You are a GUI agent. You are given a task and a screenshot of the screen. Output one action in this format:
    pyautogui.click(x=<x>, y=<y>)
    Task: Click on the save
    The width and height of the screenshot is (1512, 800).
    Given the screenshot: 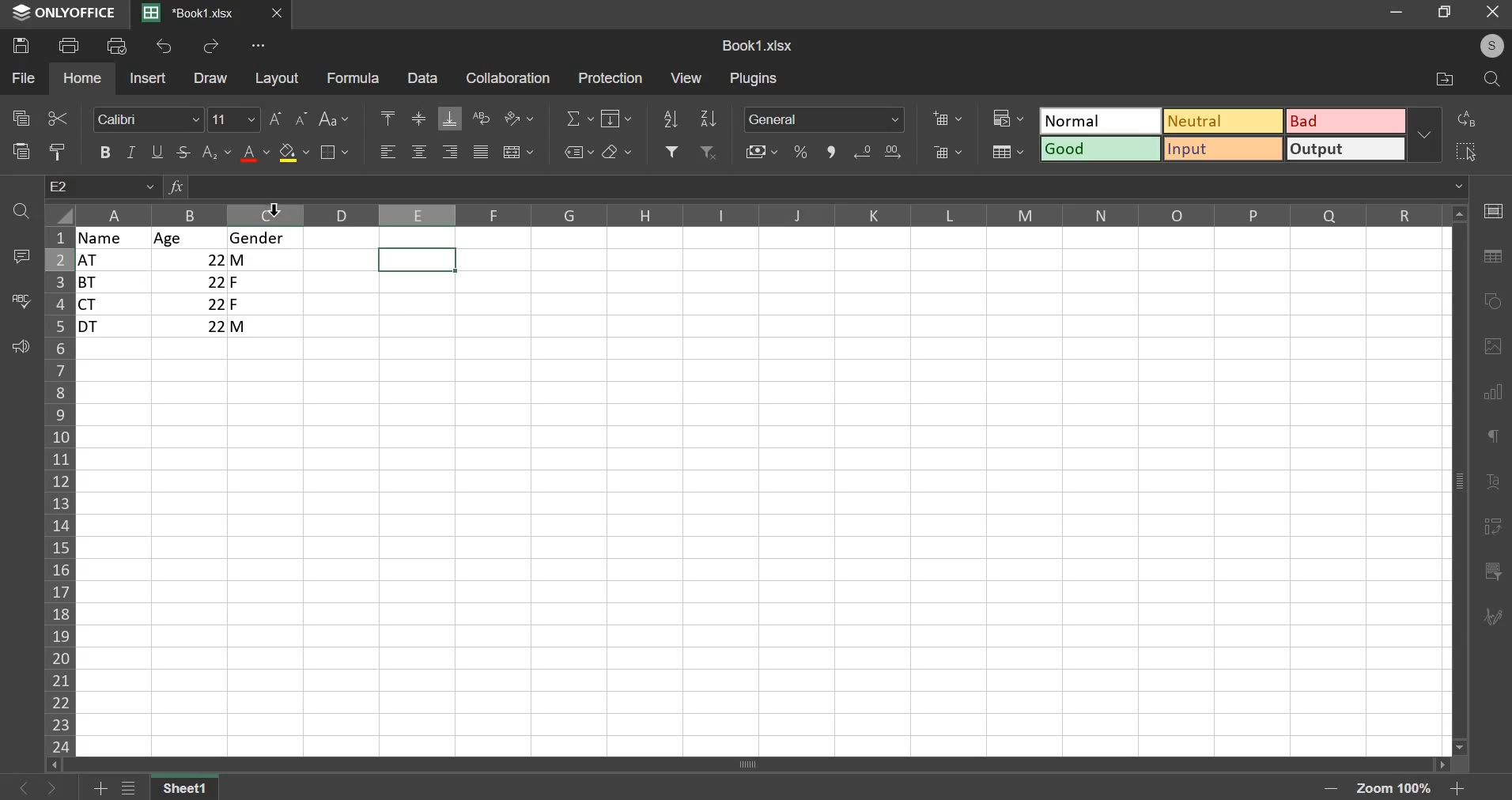 What is the action you would take?
    pyautogui.click(x=20, y=46)
    